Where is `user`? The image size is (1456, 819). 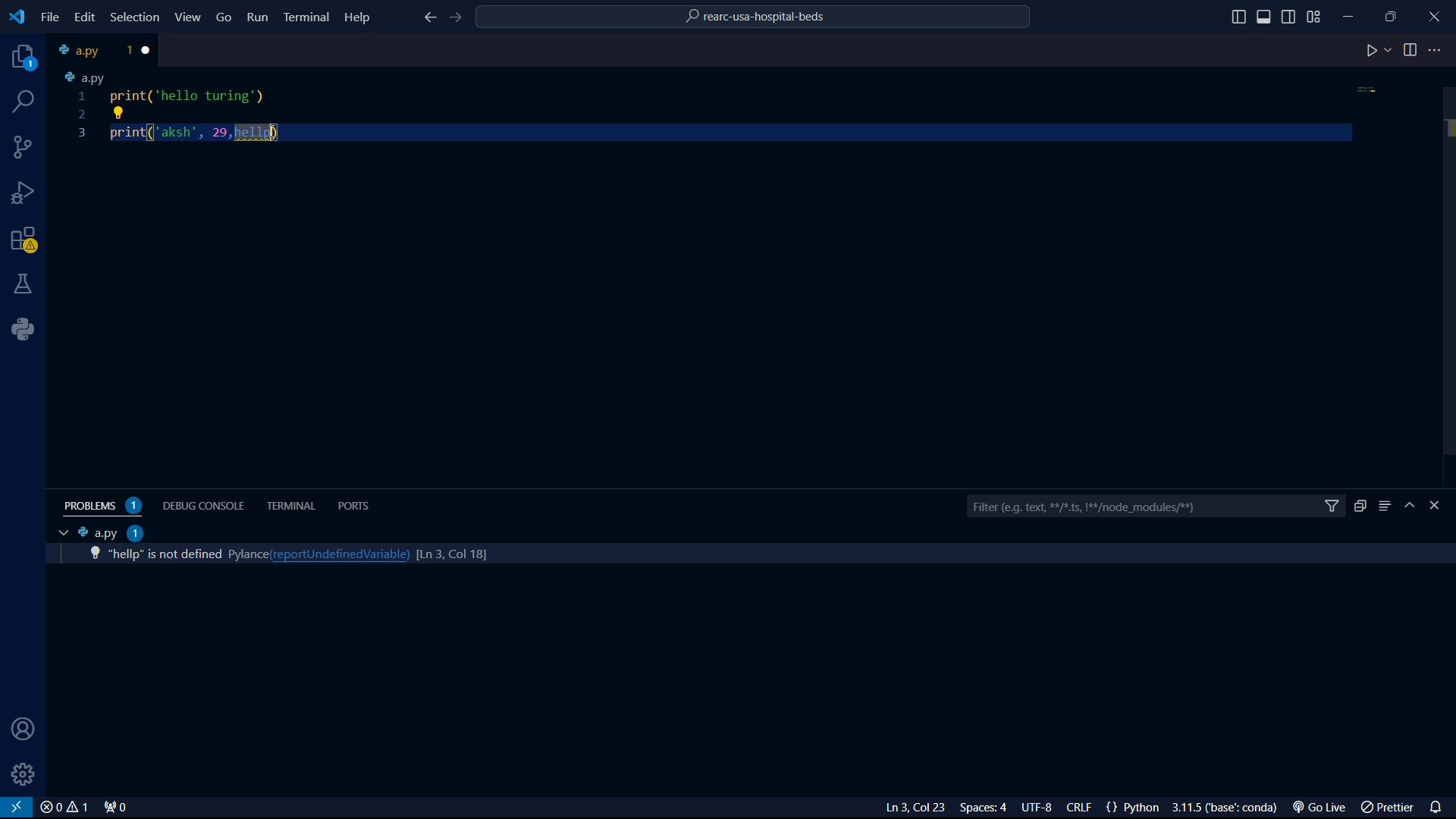
user is located at coordinates (19, 730).